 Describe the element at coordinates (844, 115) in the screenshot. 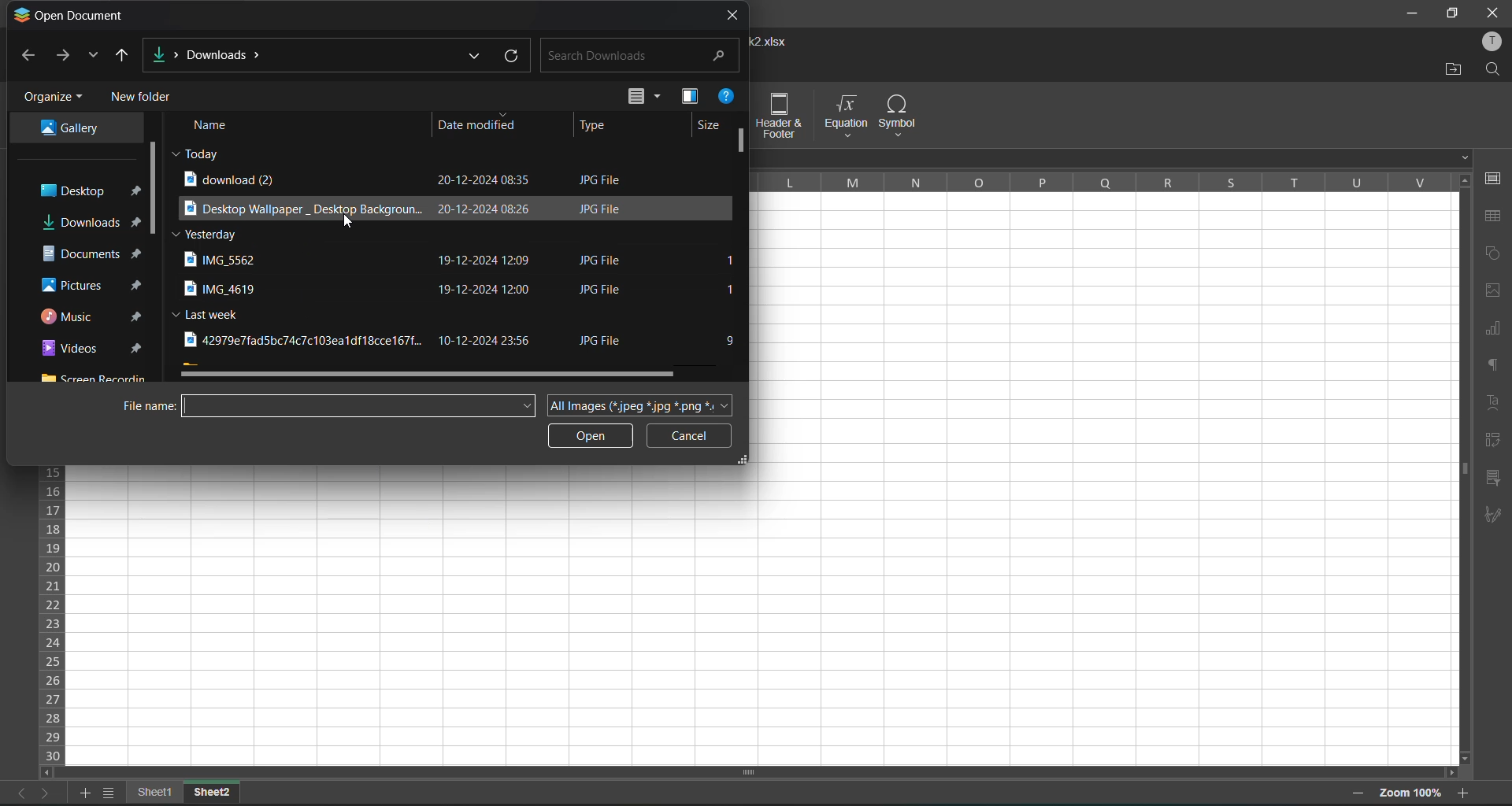

I see `equation` at that location.